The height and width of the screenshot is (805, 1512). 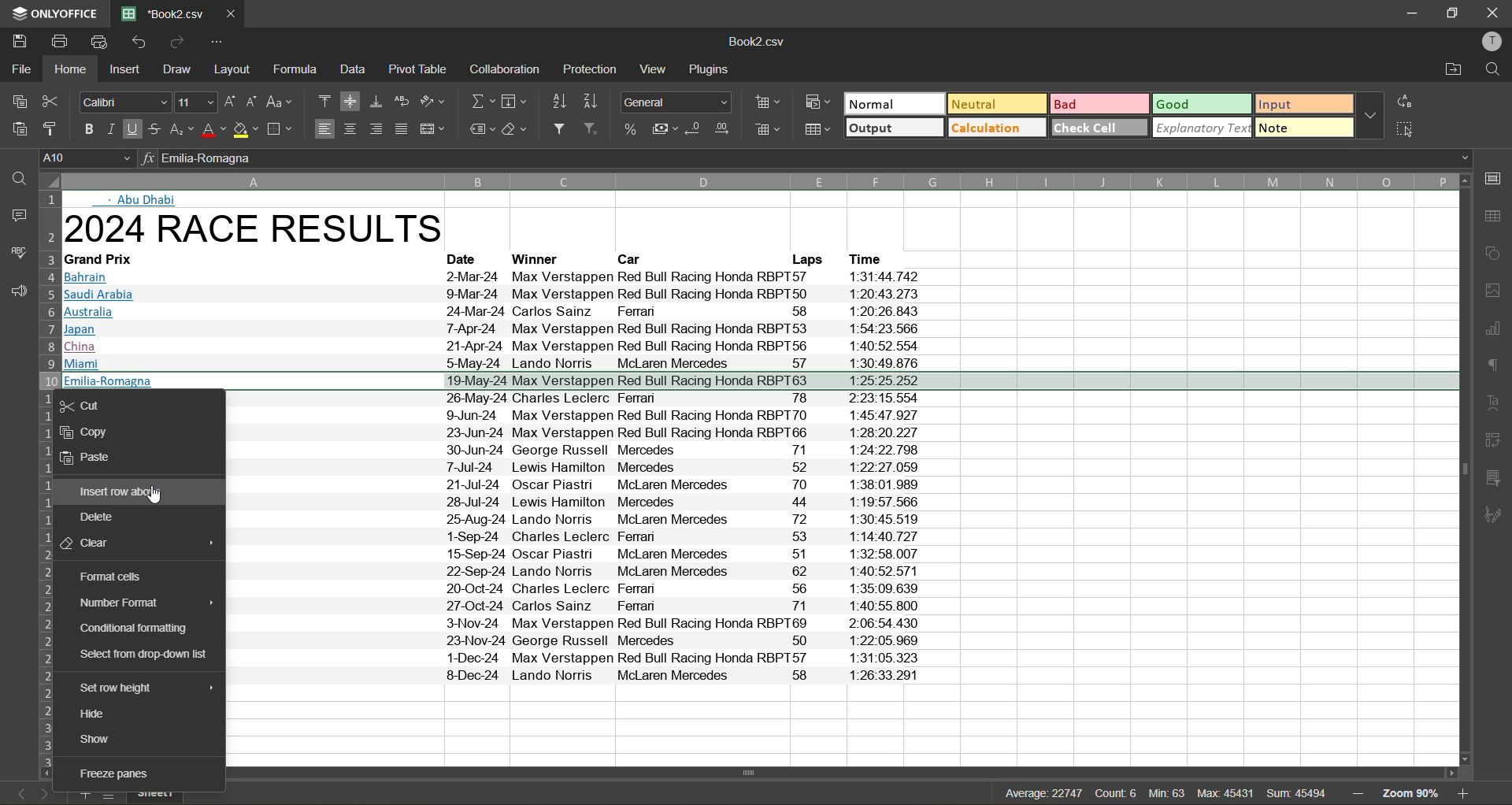 I want to click on decrement size, so click(x=252, y=102).